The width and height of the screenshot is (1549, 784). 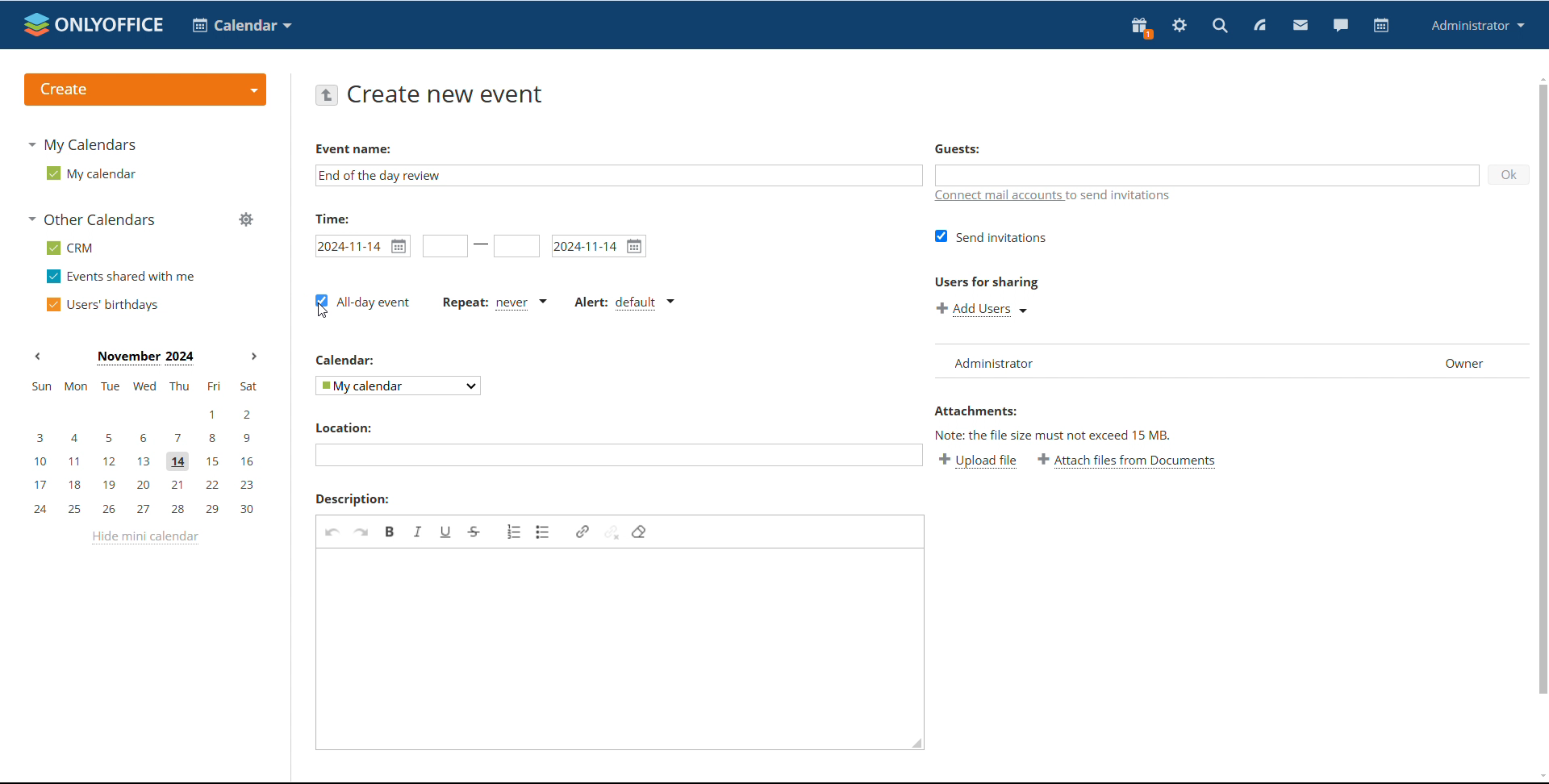 I want to click on cursor, so click(x=323, y=311).